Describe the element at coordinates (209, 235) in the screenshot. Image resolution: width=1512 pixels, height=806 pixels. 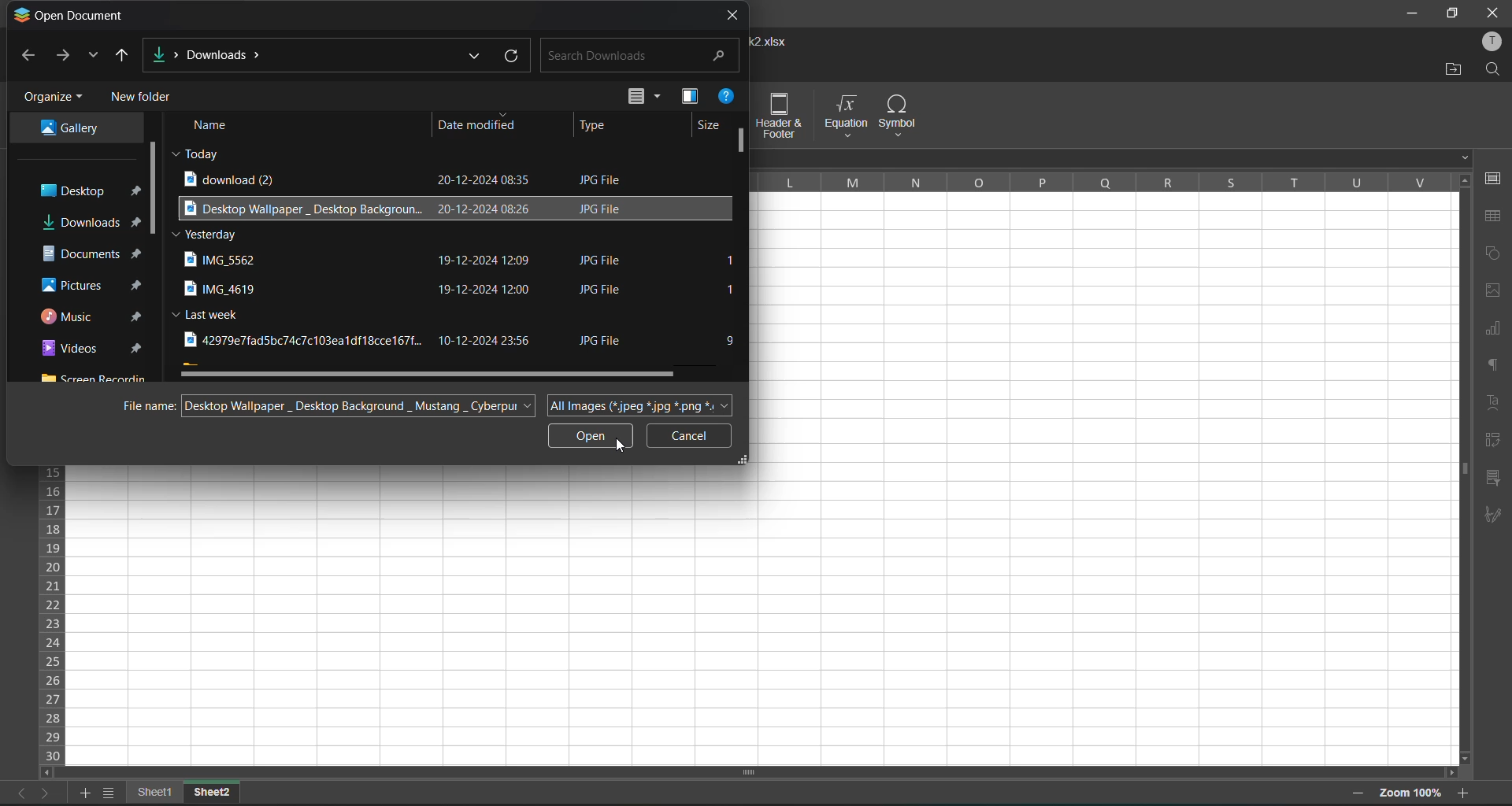
I see `Yesterday` at that location.